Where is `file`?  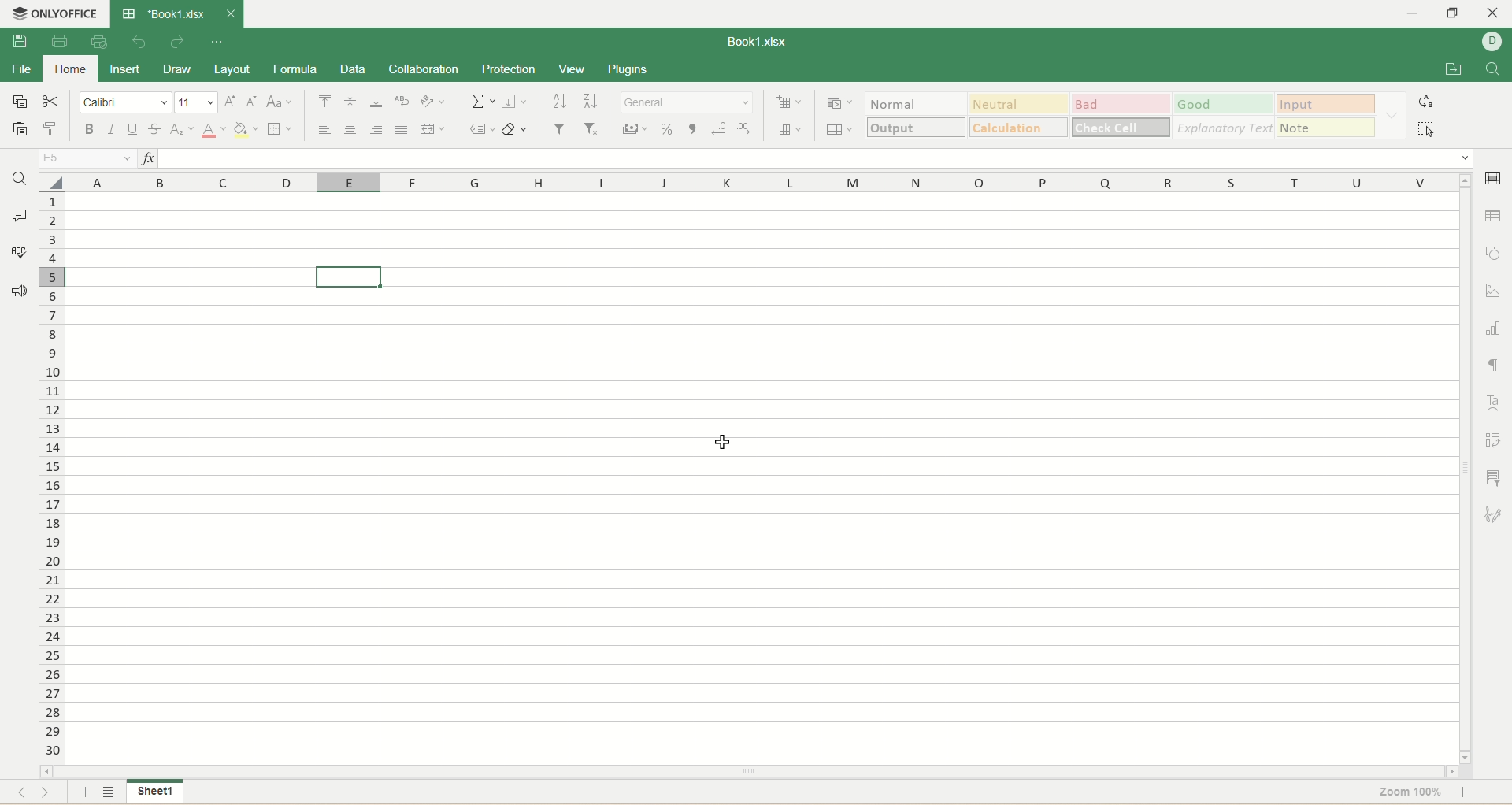 file is located at coordinates (22, 70).